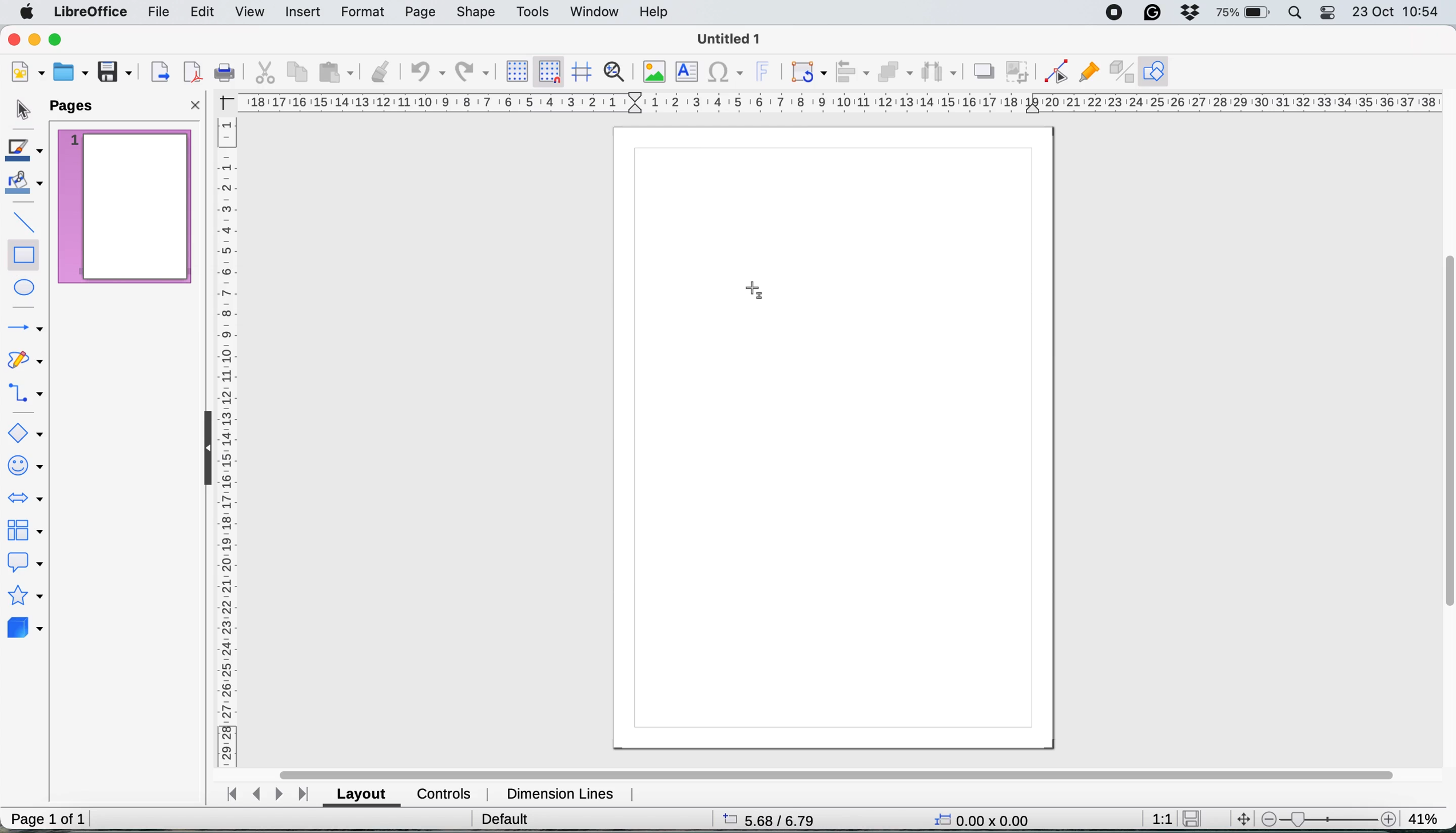 The height and width of the screenshot is (833, 1456). I want to click on basic shapes, so click(27, 431).